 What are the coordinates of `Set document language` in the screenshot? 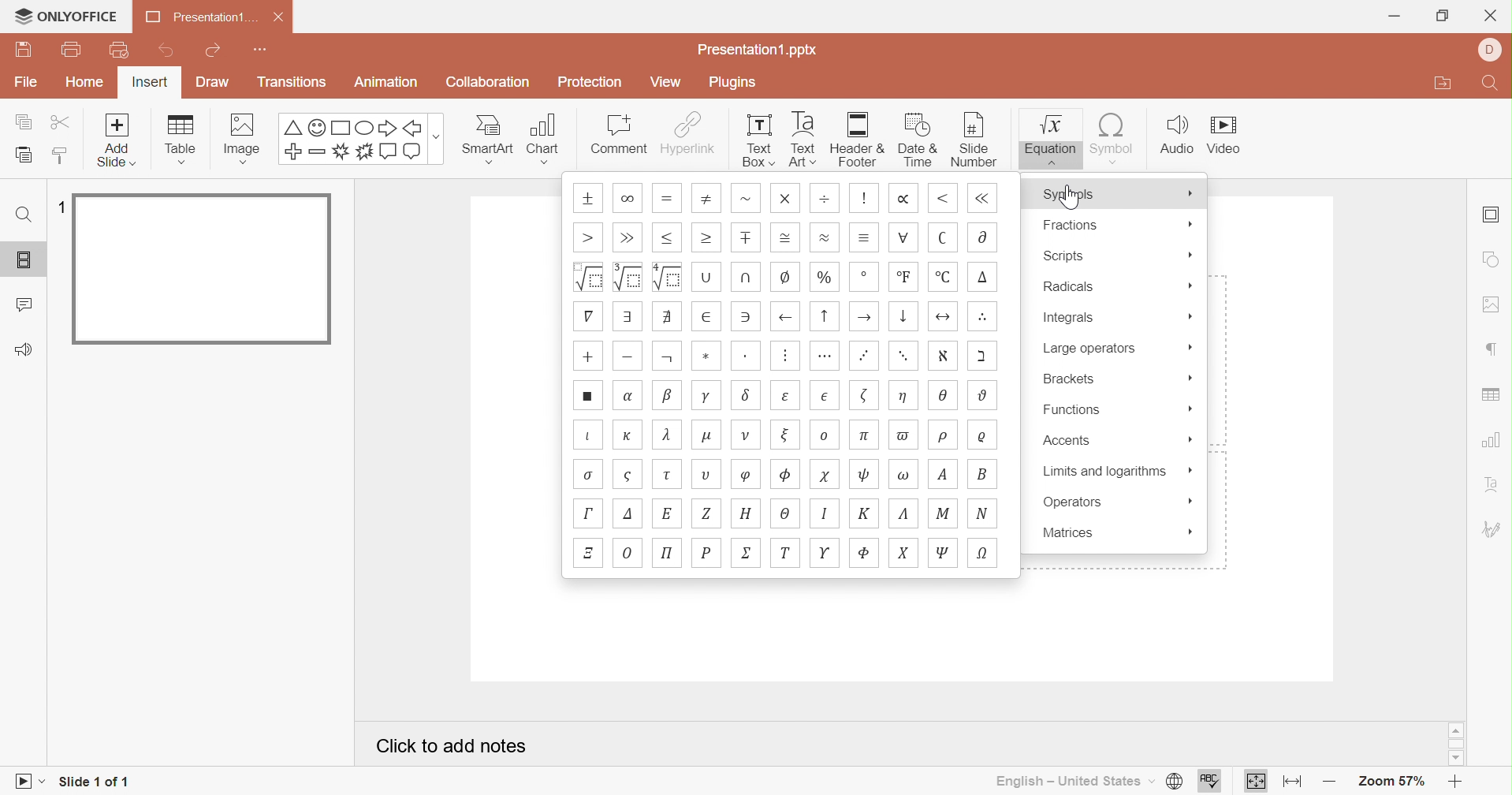 It's located at (1175, 782).